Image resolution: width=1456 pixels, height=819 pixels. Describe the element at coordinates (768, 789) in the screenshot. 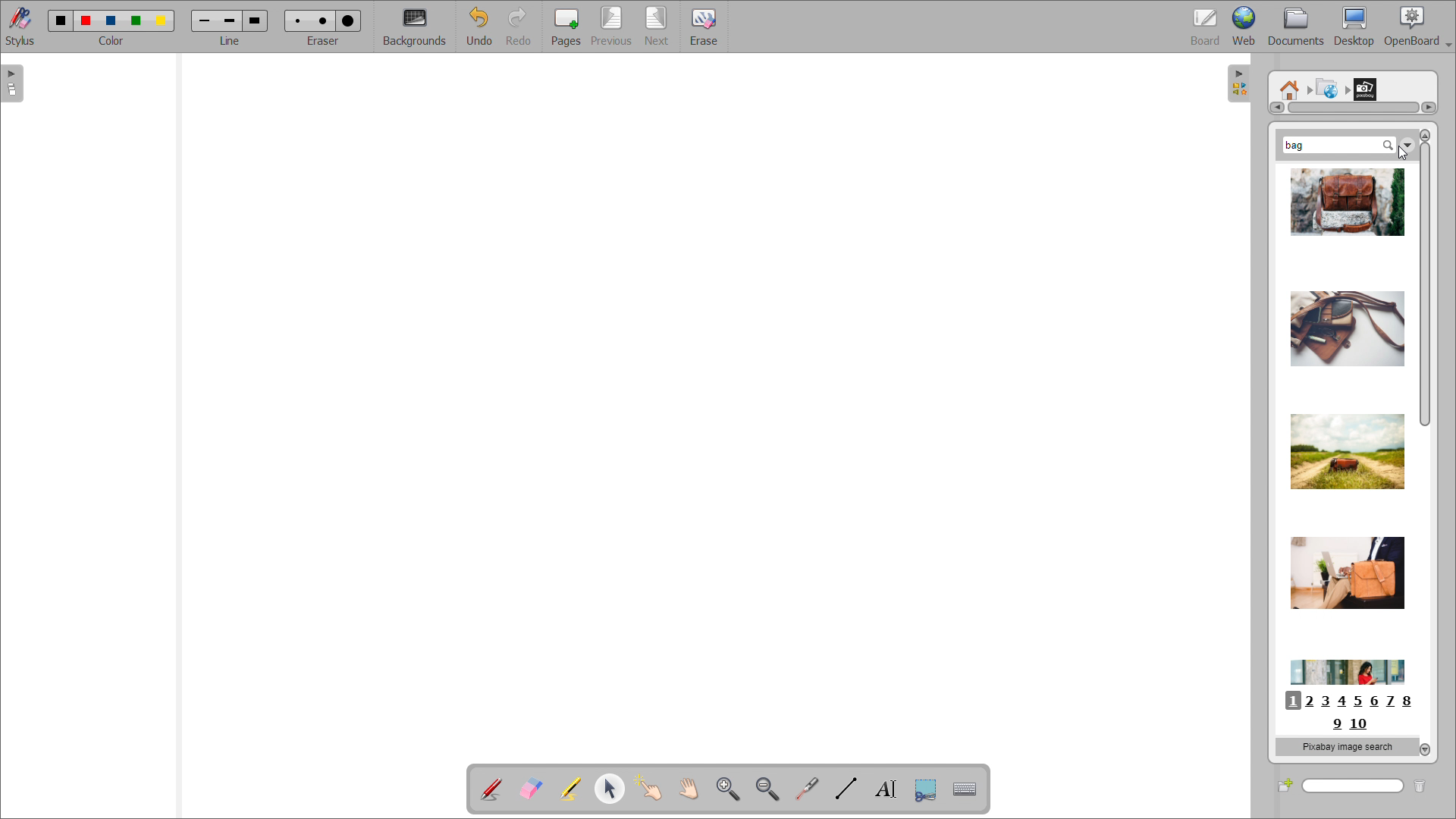

I see `zoom out` at that location.